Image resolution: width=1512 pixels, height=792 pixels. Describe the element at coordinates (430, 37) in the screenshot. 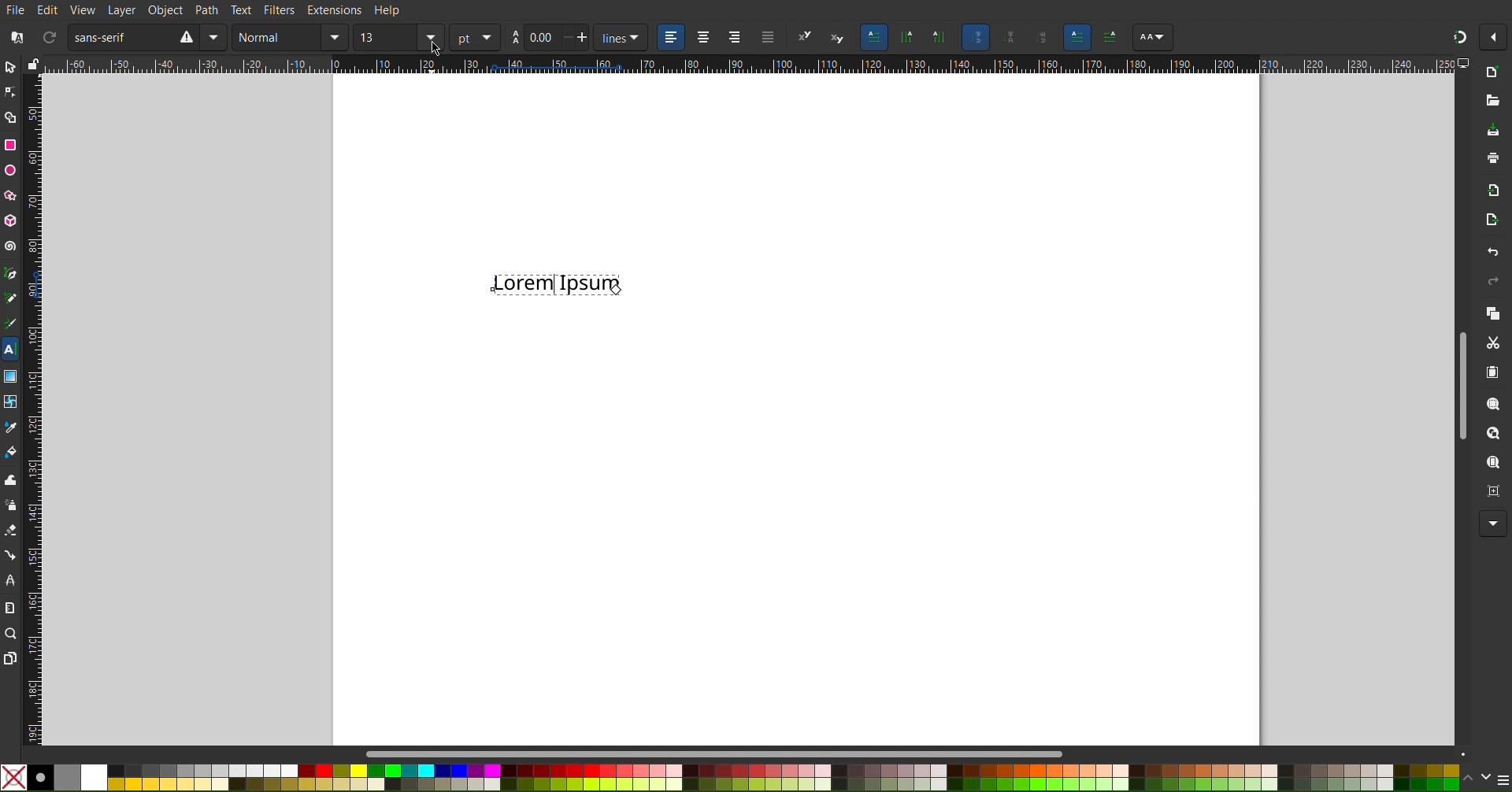

I see `size menu` at that location.